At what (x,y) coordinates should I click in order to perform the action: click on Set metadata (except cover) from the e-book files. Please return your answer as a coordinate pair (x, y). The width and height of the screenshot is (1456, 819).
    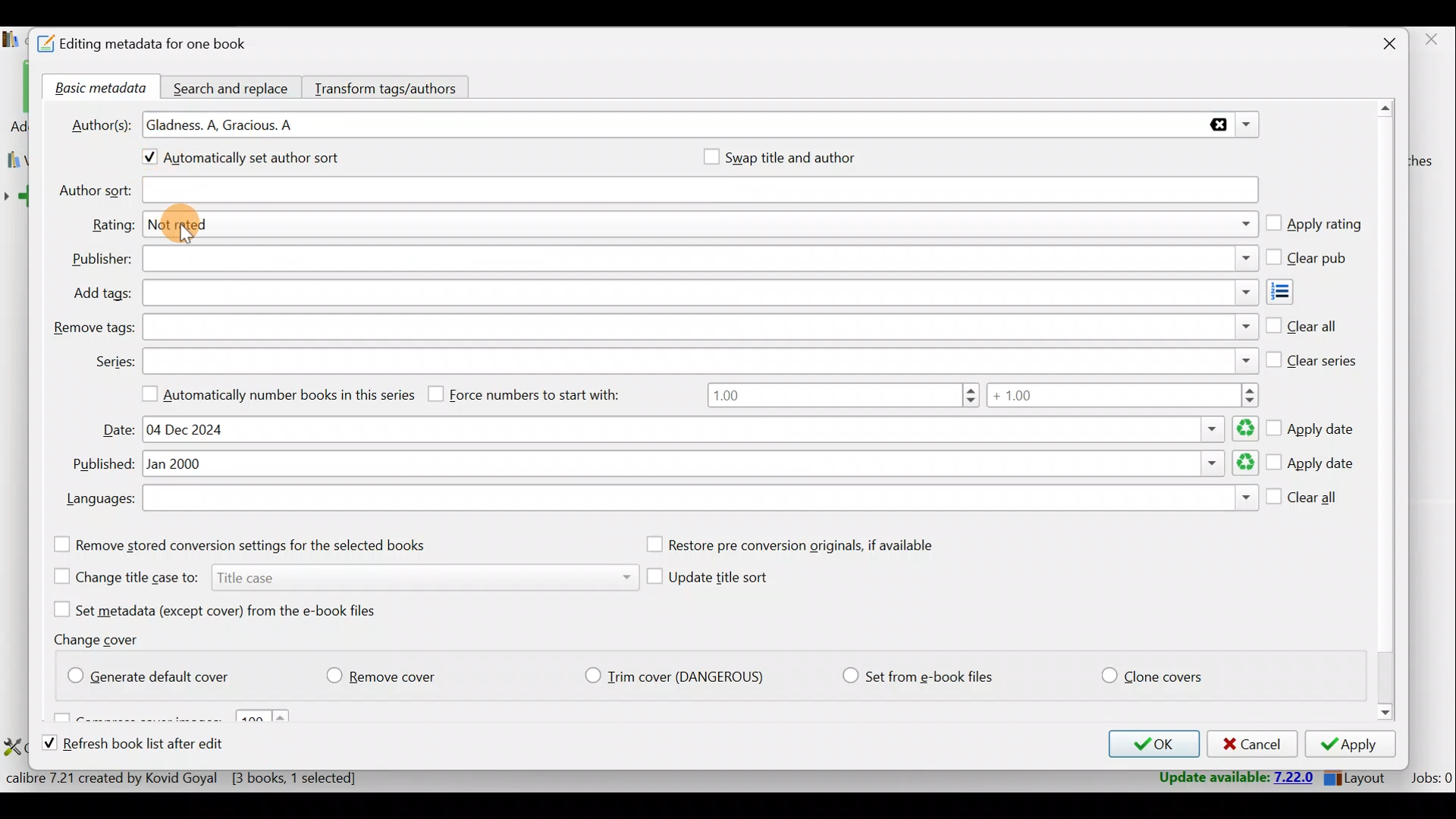
    Looking at the image, I should click on (234, 609).